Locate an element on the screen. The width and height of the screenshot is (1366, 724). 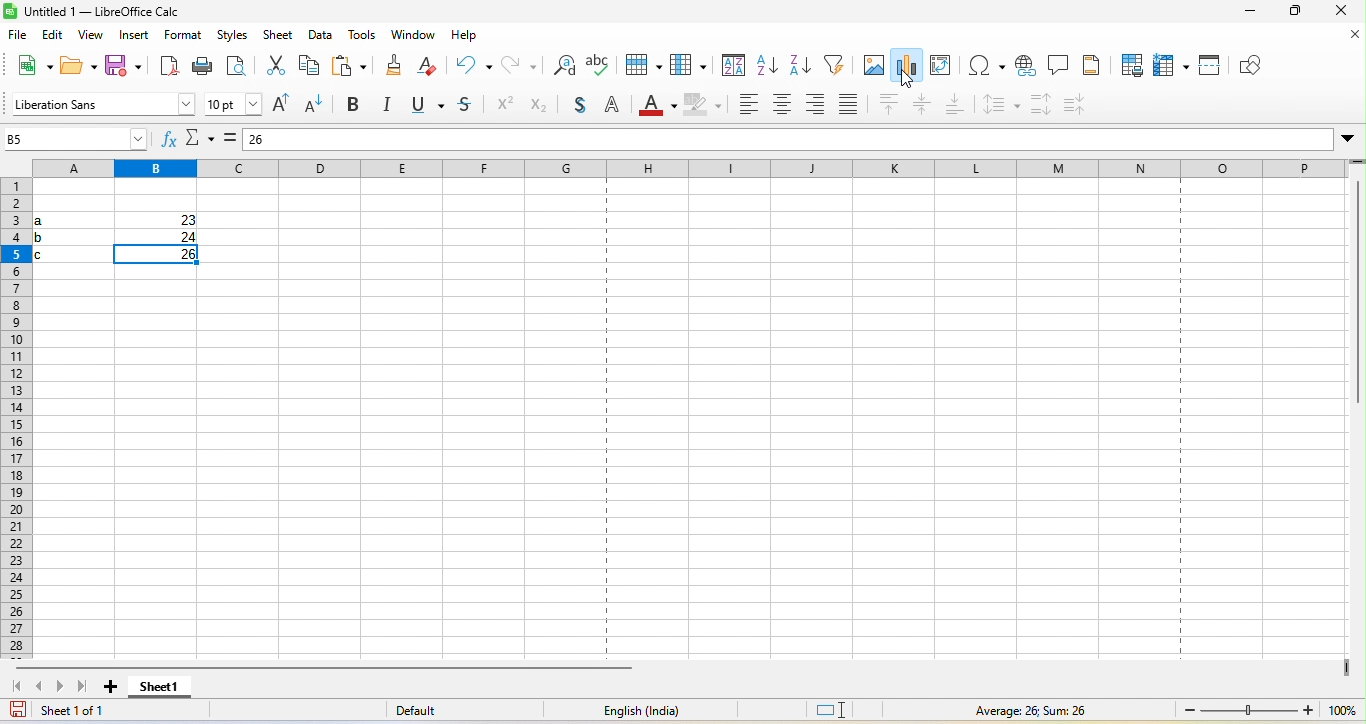
increase font size is located at coordinates (281, 105).